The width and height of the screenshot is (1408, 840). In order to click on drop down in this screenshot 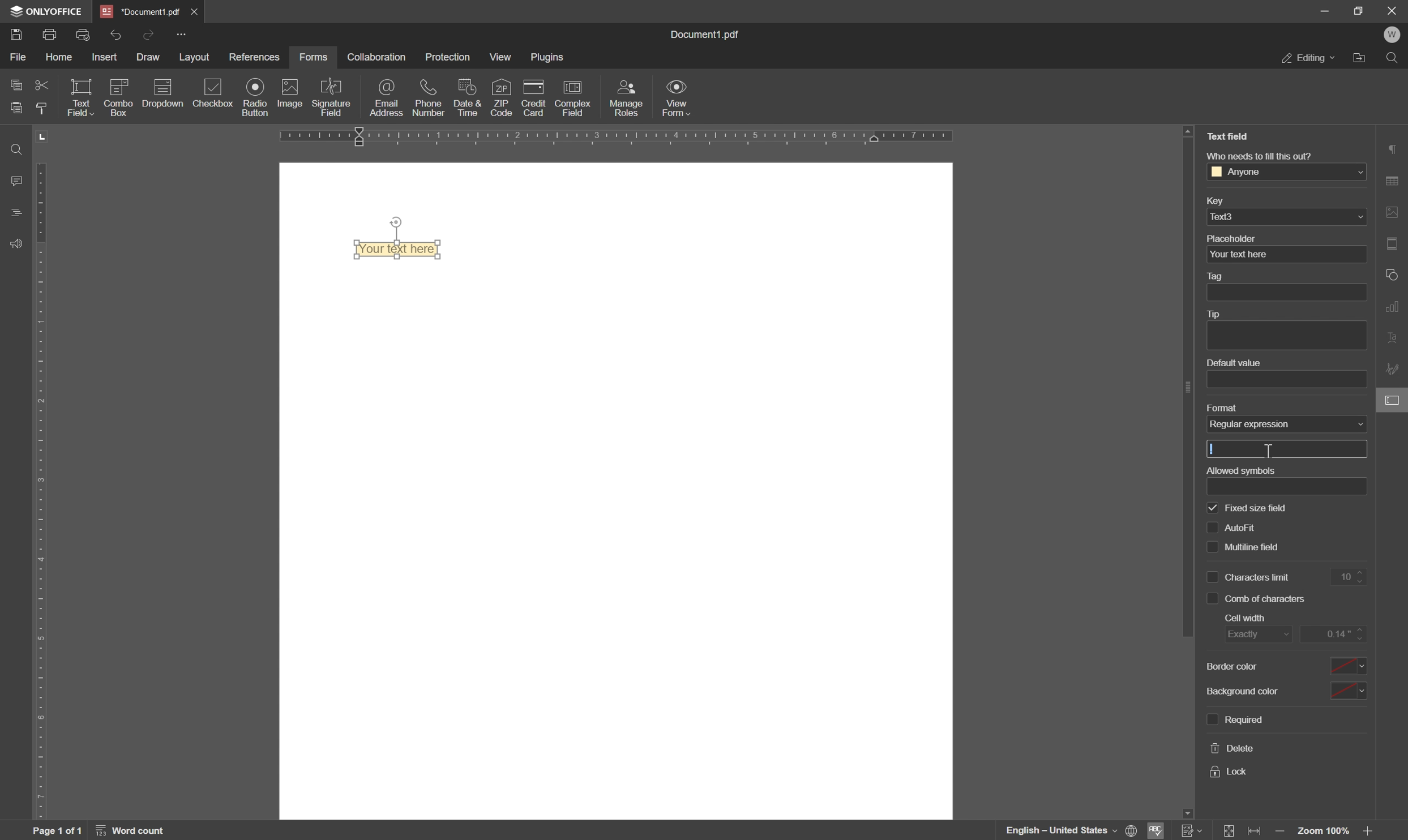, I will do `click(1360, 217)`.